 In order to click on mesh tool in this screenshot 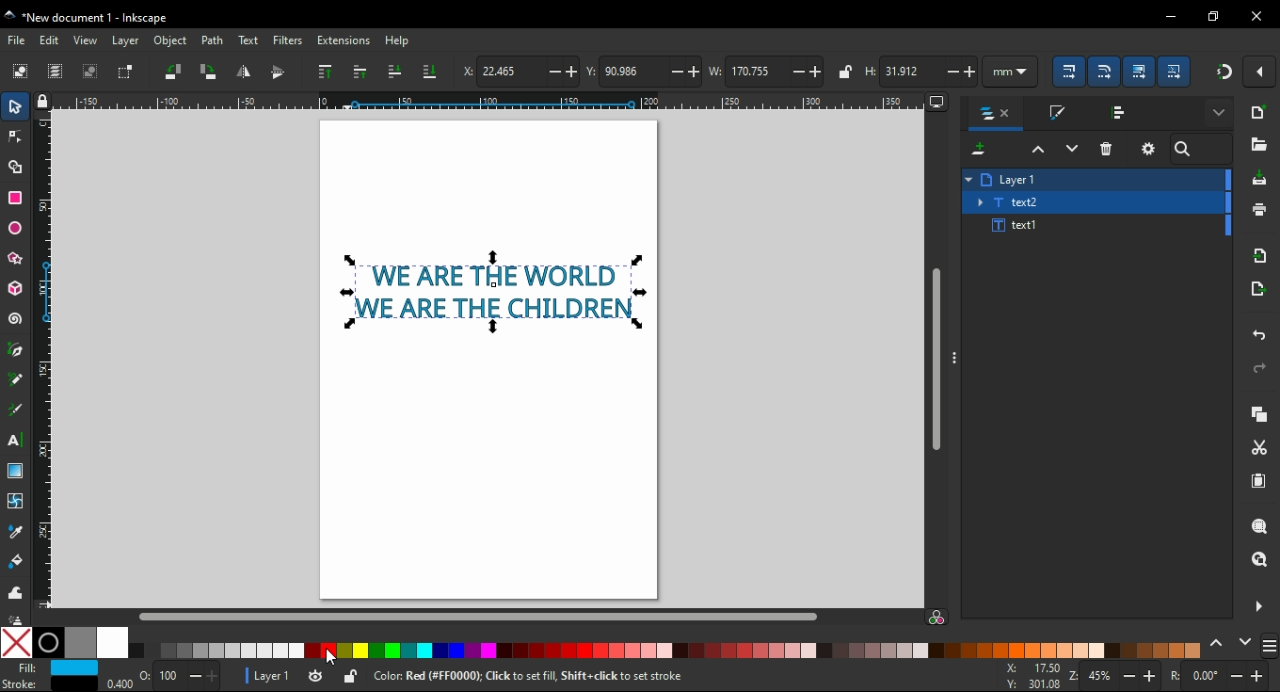, I will do `click(19, 499)`.